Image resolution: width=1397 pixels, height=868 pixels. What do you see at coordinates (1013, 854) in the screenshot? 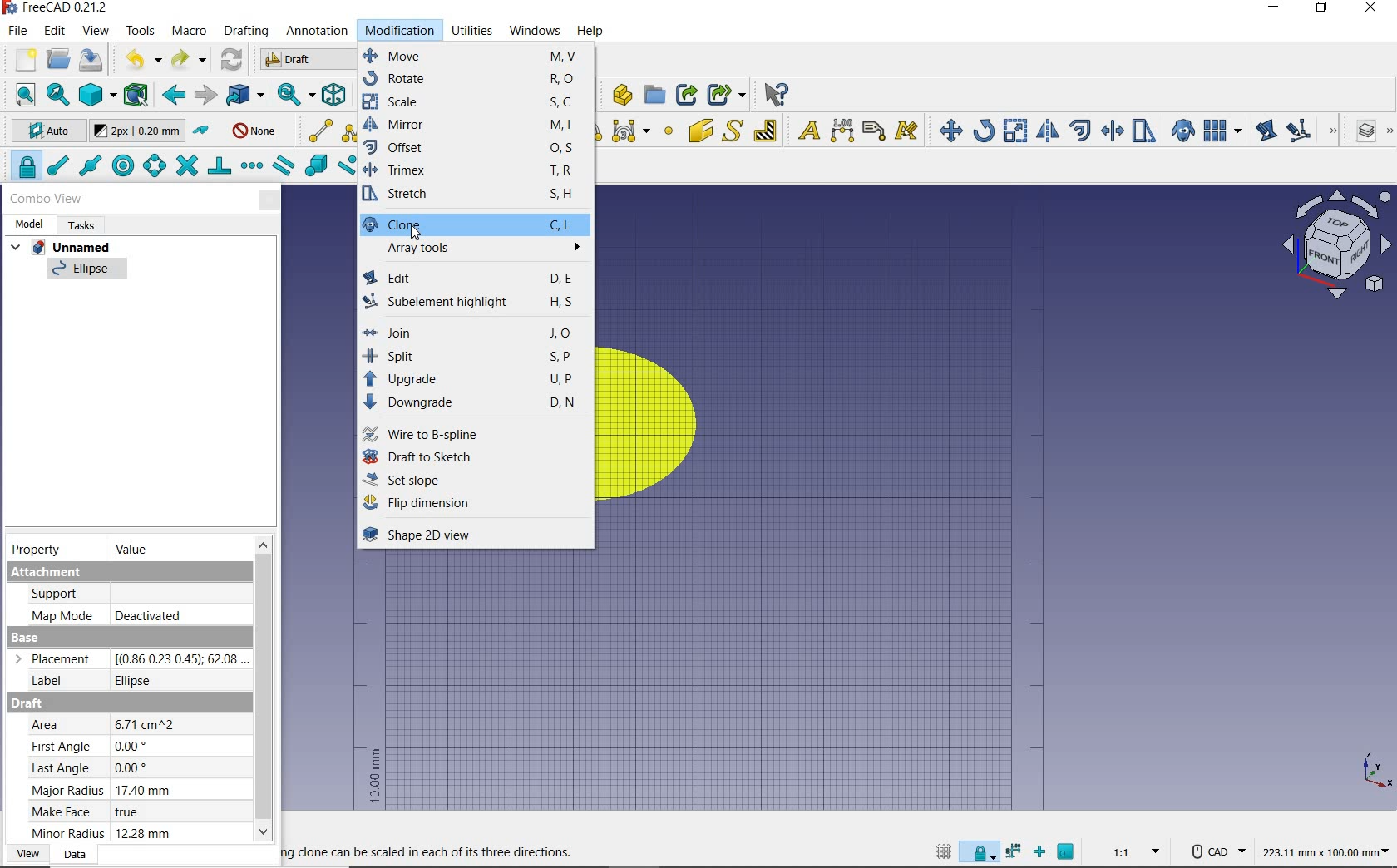
I see `snap dimension` at bounding box center [1013, 854].